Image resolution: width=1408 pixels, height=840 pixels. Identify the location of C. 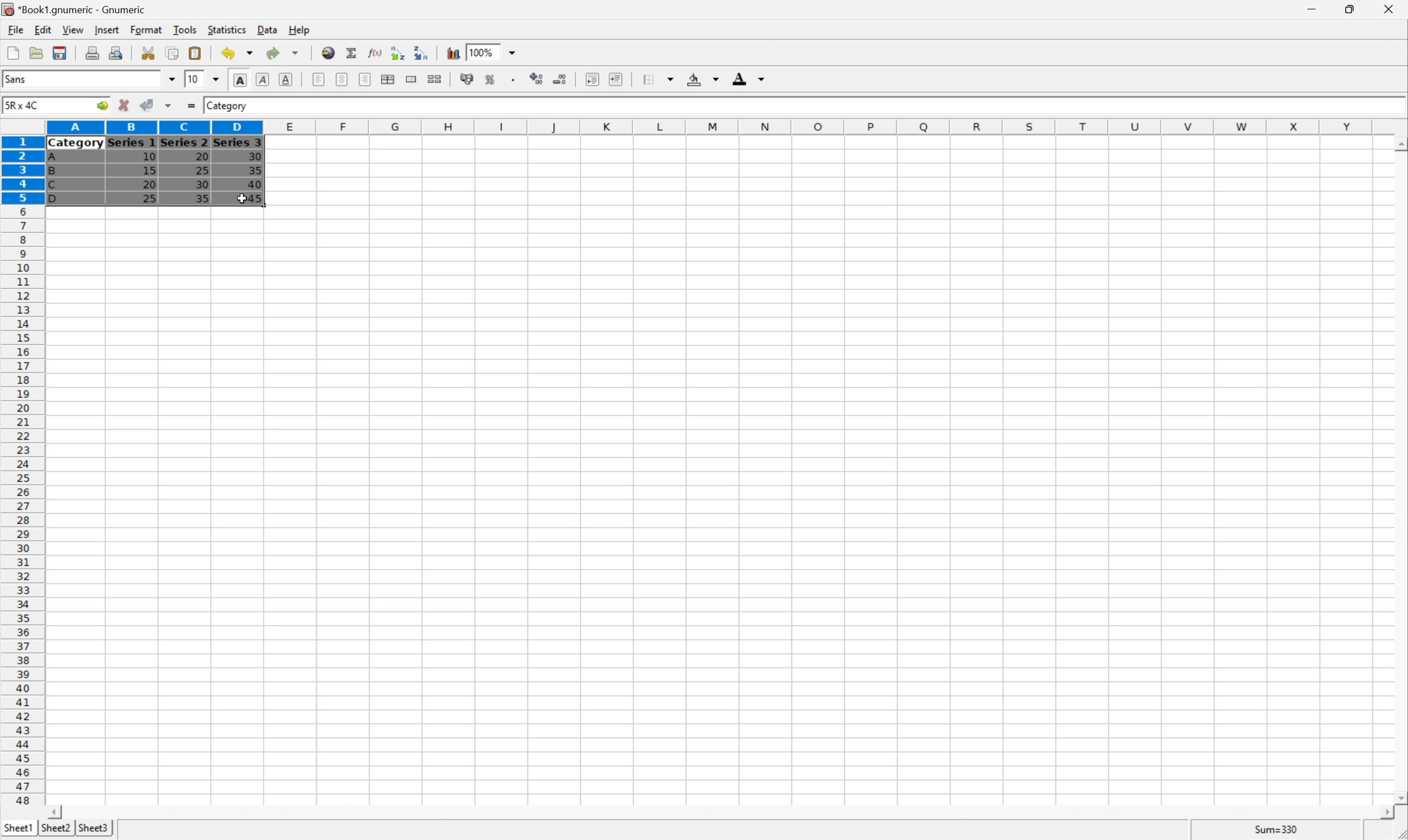
(52, 186).